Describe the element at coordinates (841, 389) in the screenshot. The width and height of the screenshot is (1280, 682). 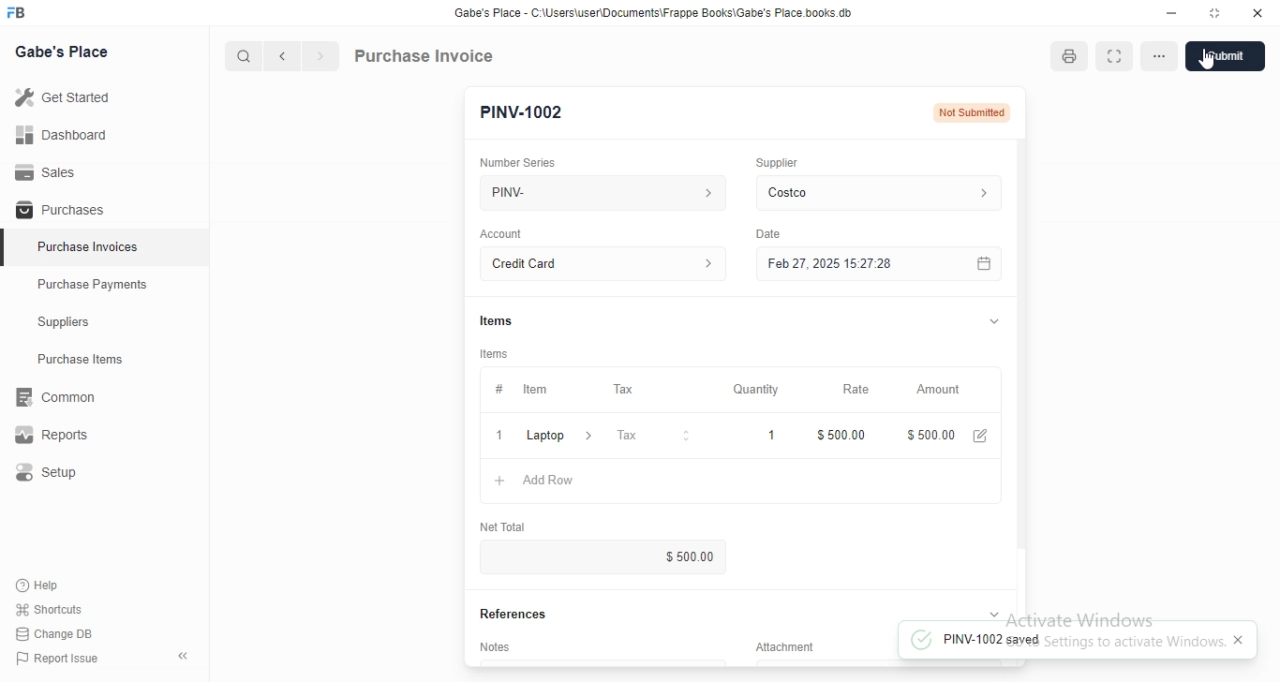
I see `Rate` at that location.